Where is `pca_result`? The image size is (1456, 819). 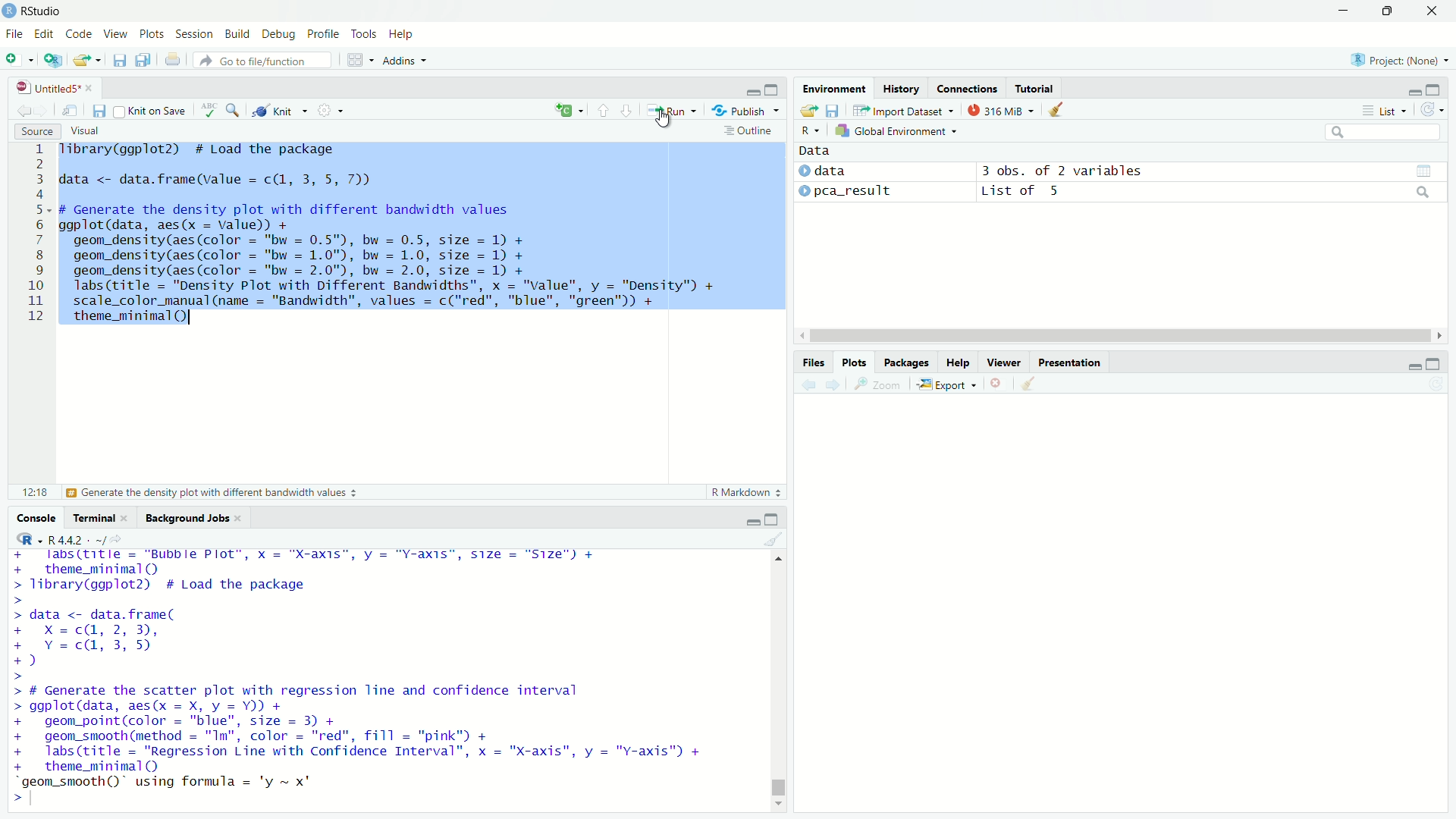 pca_result is located at coordinates (854, 192).